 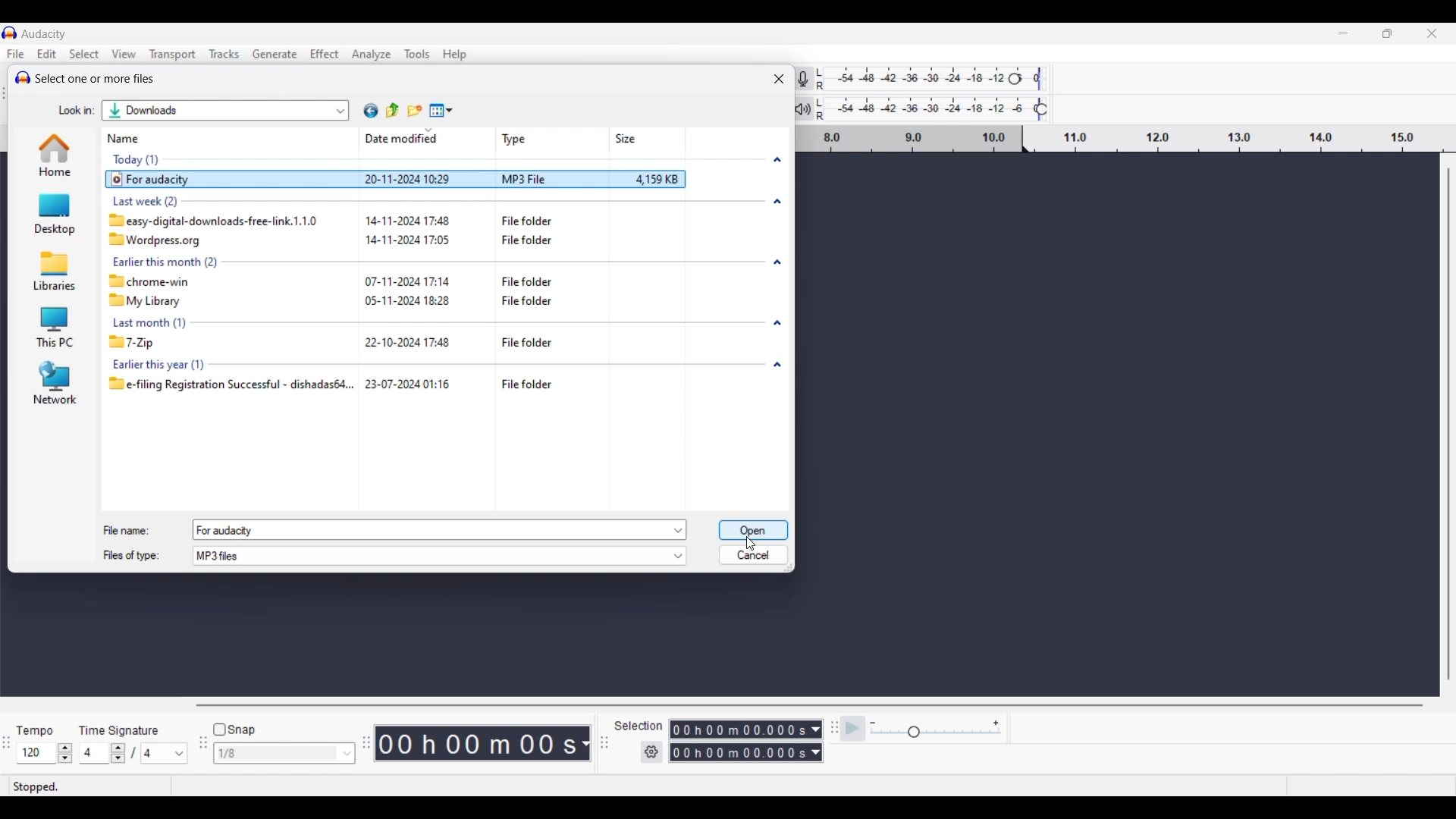 I want to click on File name:, so click(x=127, y=527).